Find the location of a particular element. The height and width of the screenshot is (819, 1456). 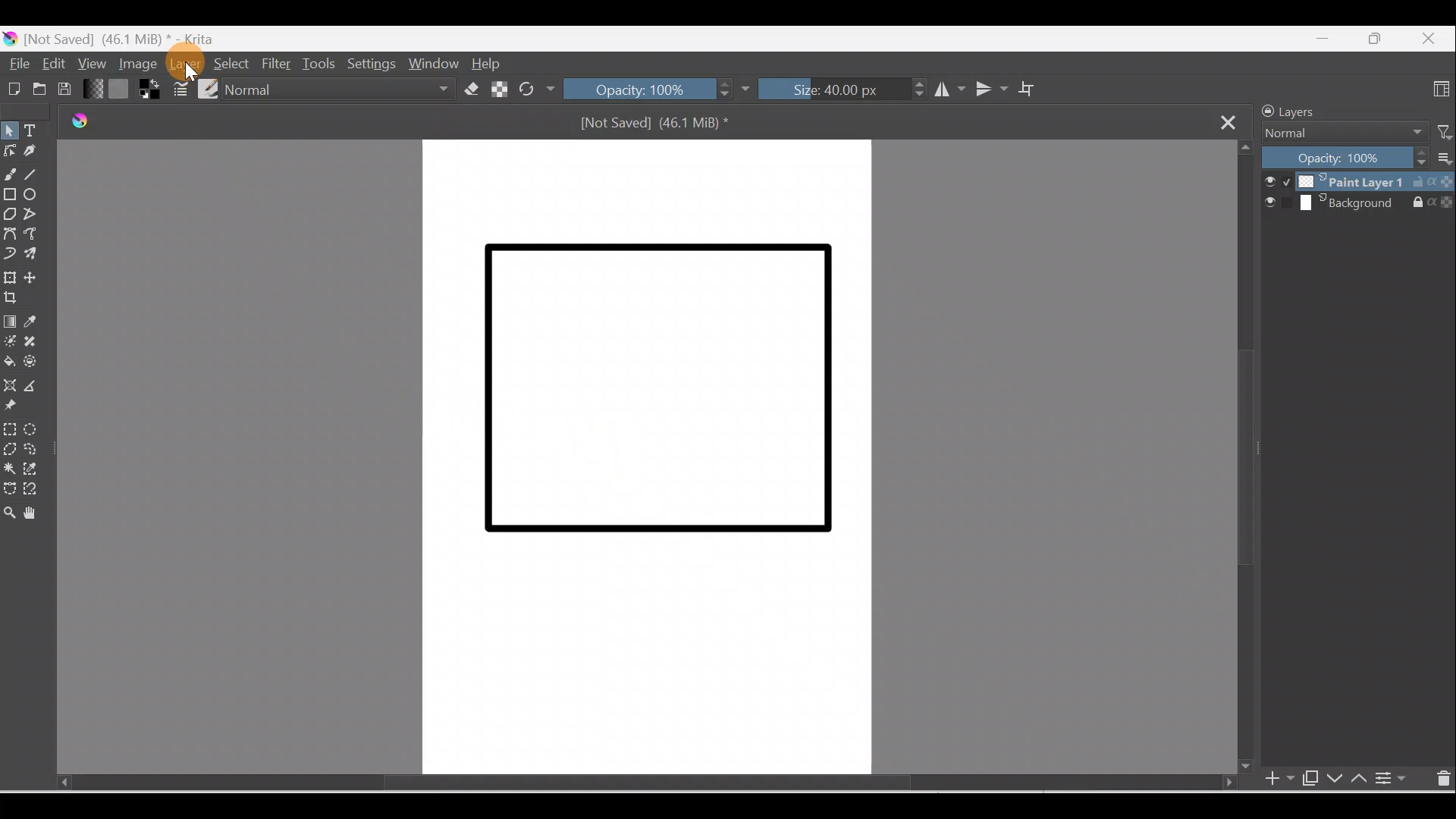

Scroll bar is located at coordinates (1243, 459).